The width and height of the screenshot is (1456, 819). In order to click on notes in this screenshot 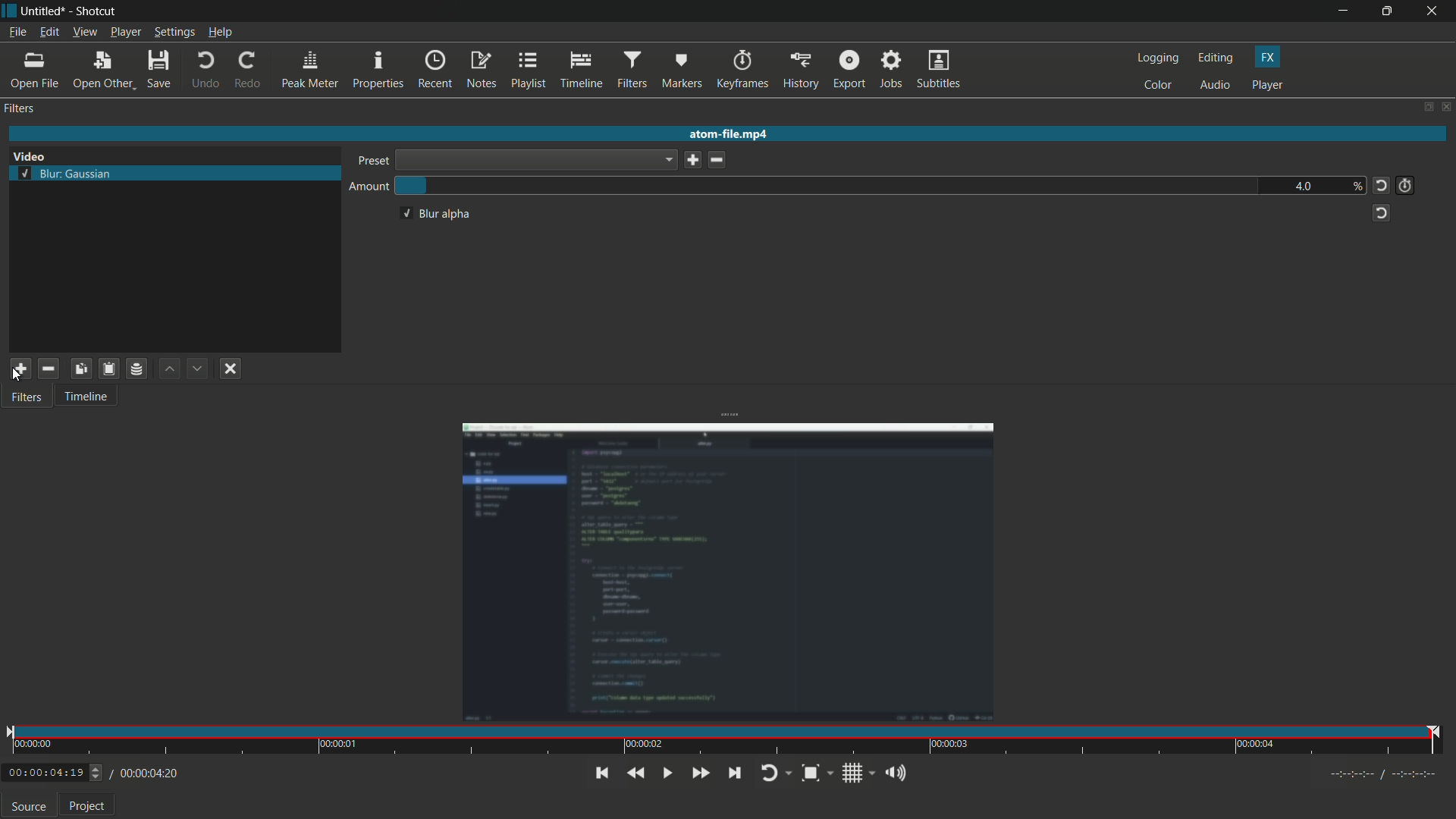, I will do `click(482, 70)`.